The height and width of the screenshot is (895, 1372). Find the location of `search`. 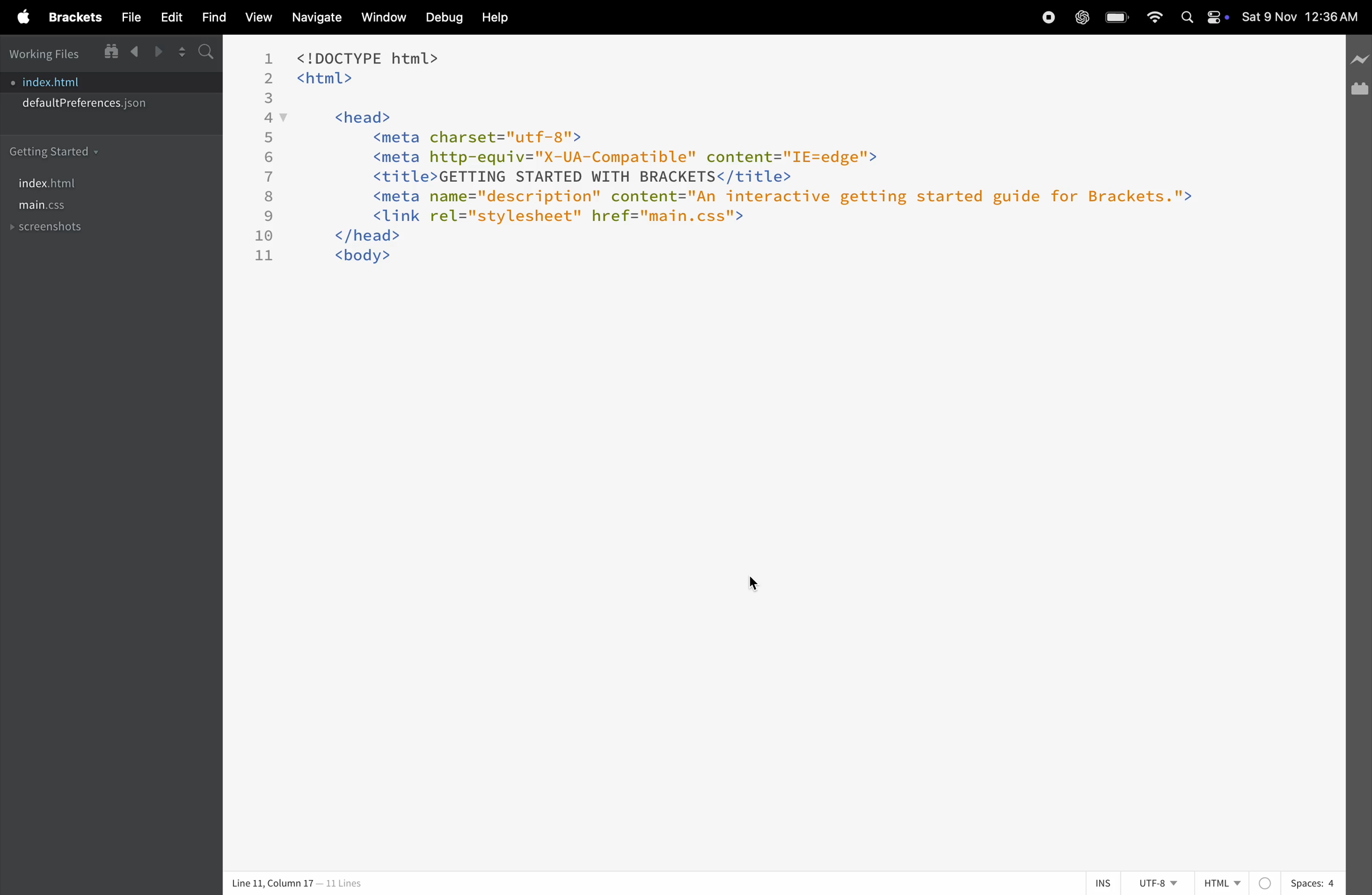

search is located at coordinates (206, 51).